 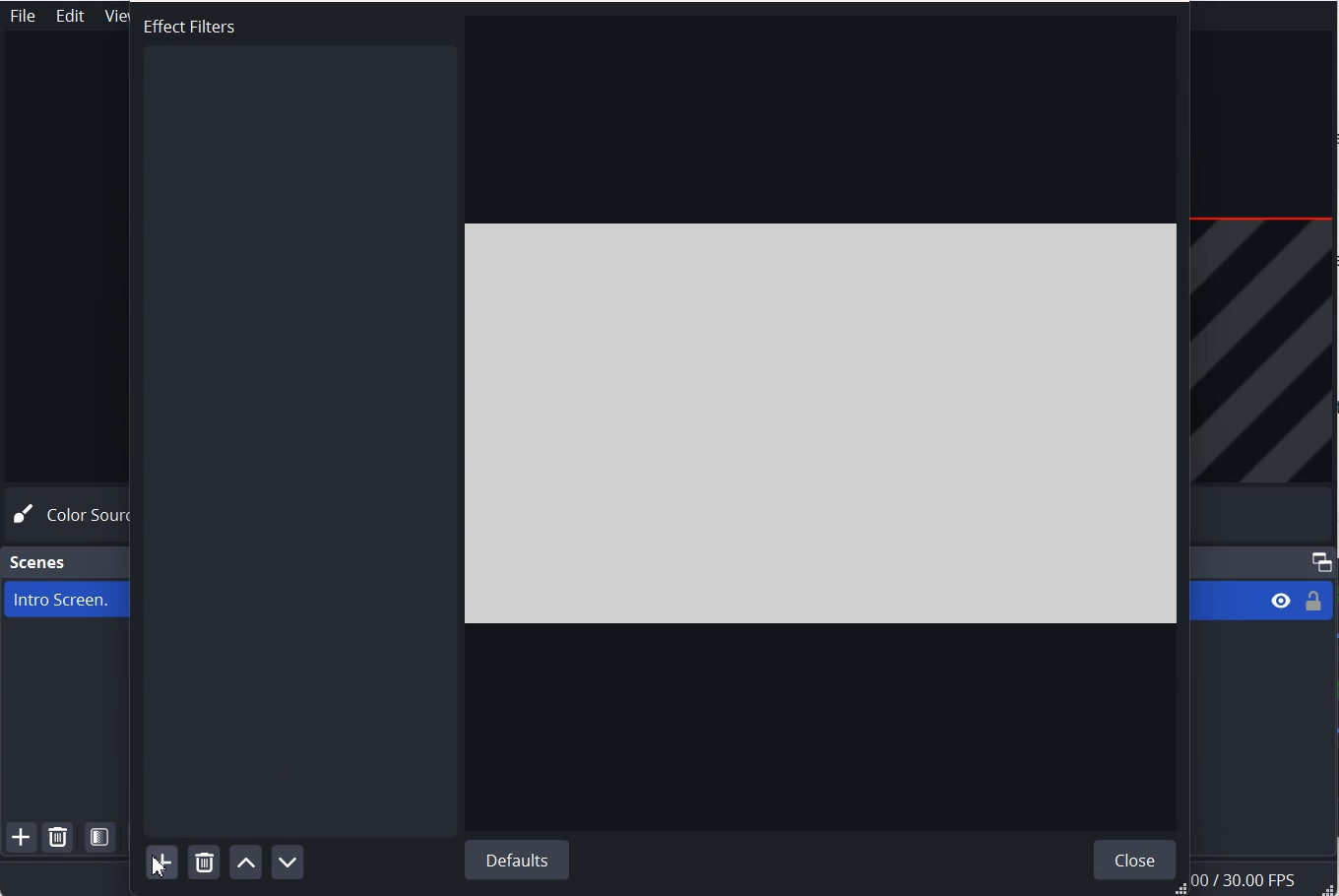 What do you see at coordinates (204, 862) in the screenshot?
I see `Remove selected filter` at bounding box center [204, 862].